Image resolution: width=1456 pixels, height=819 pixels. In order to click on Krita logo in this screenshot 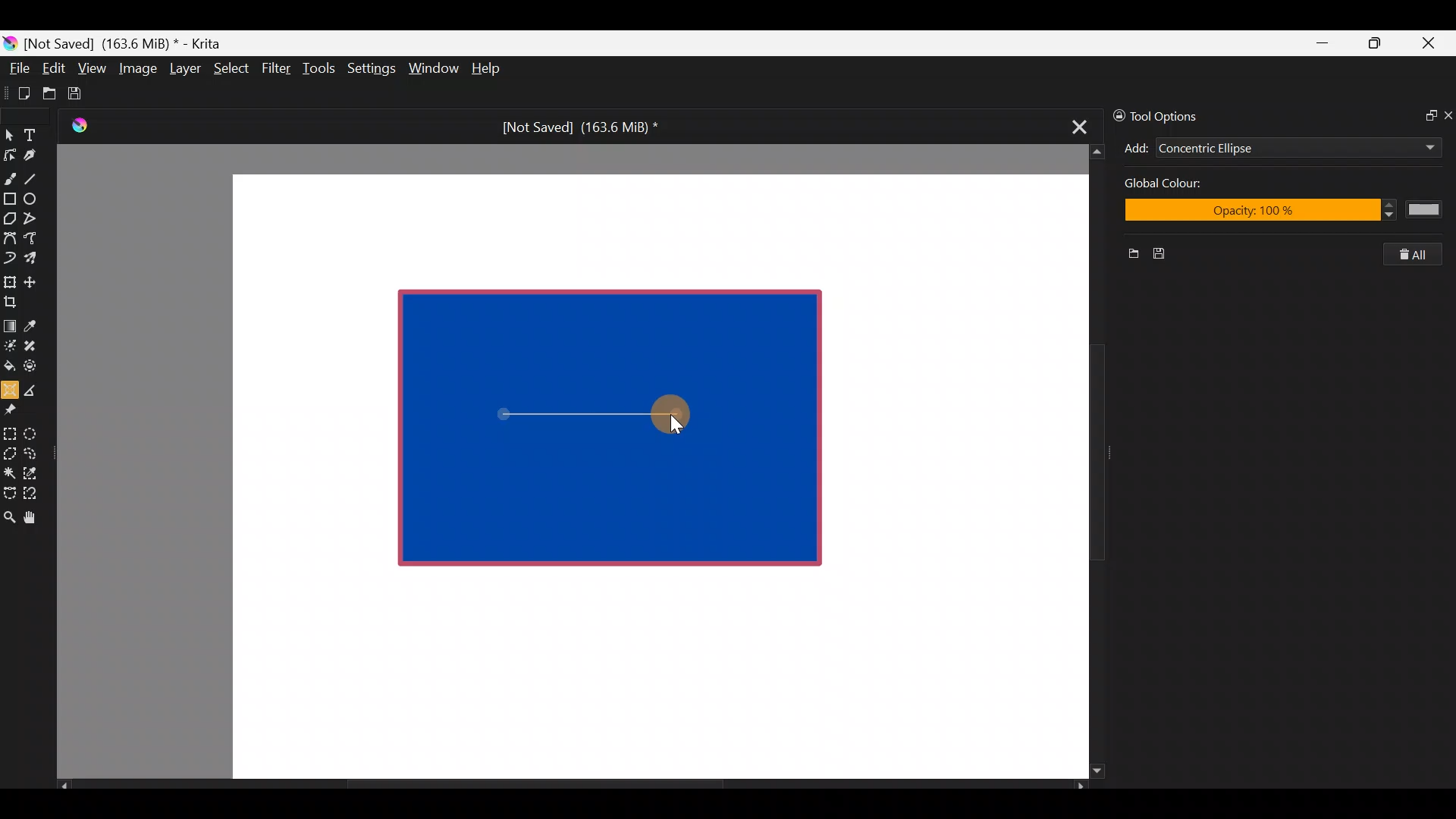, I will do `click(10, 42)`.